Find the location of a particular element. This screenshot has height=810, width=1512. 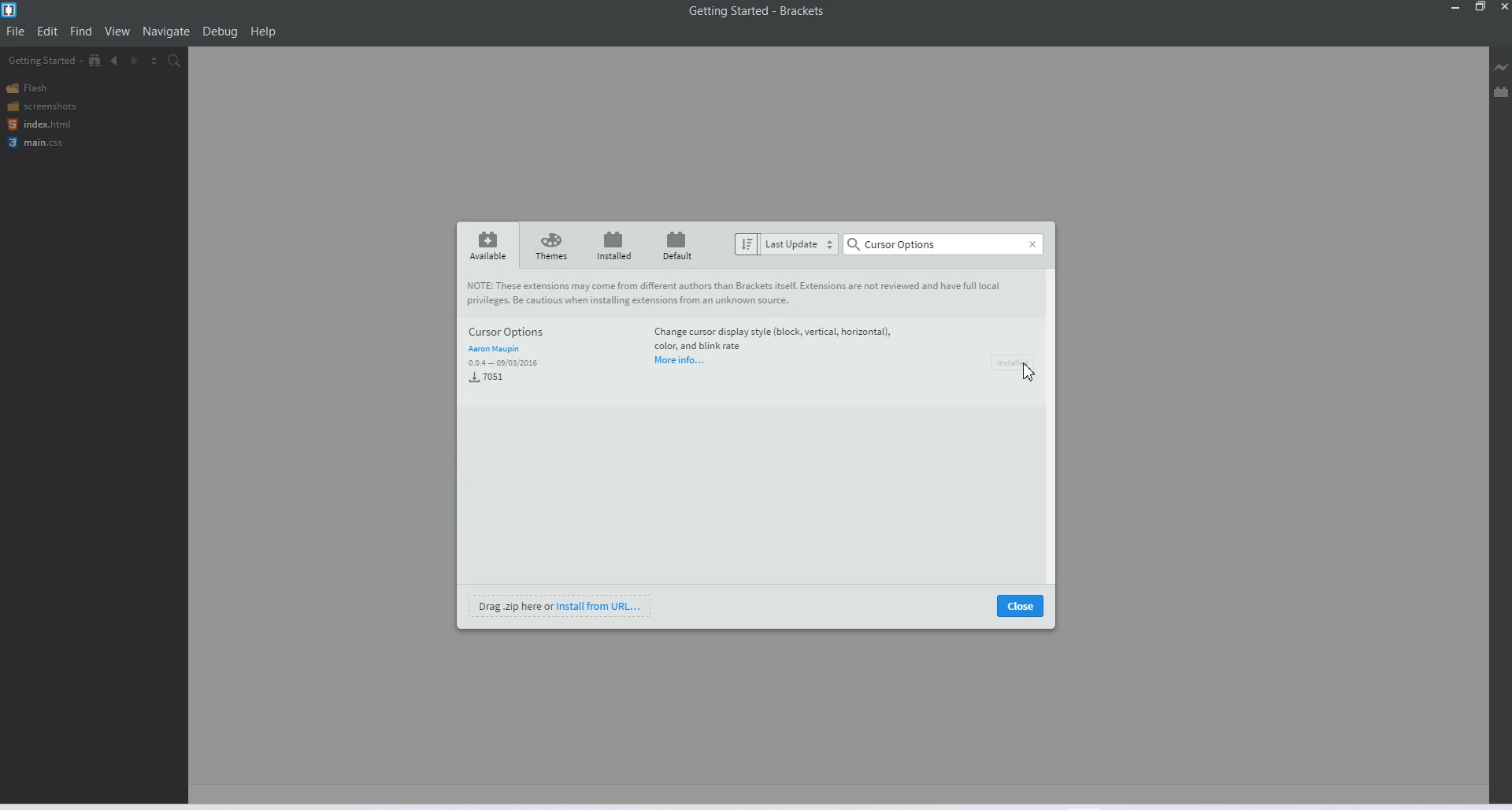

Help is located at coordinates (263, 32).